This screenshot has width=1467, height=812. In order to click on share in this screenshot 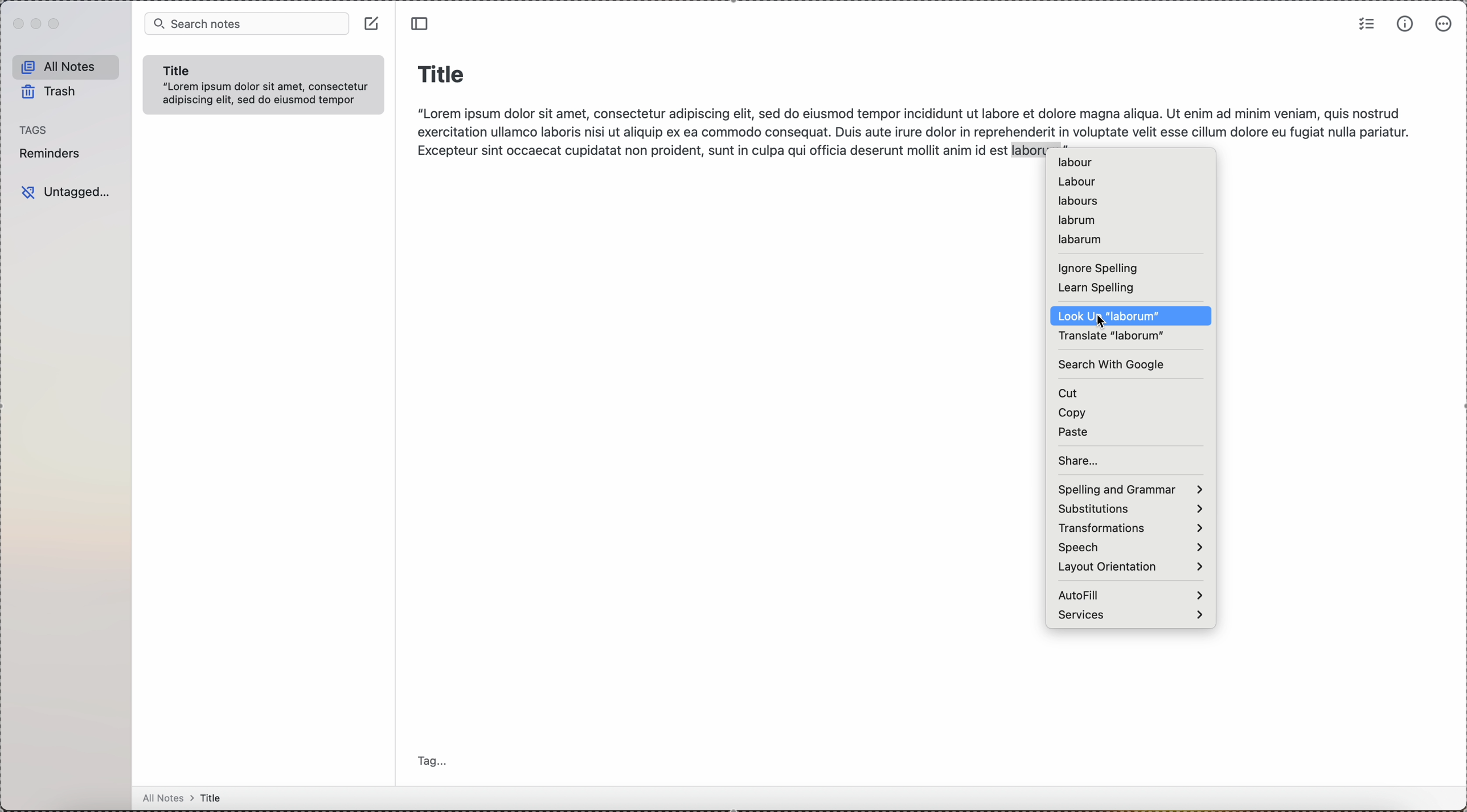, I will do `click(1079, 461)`.